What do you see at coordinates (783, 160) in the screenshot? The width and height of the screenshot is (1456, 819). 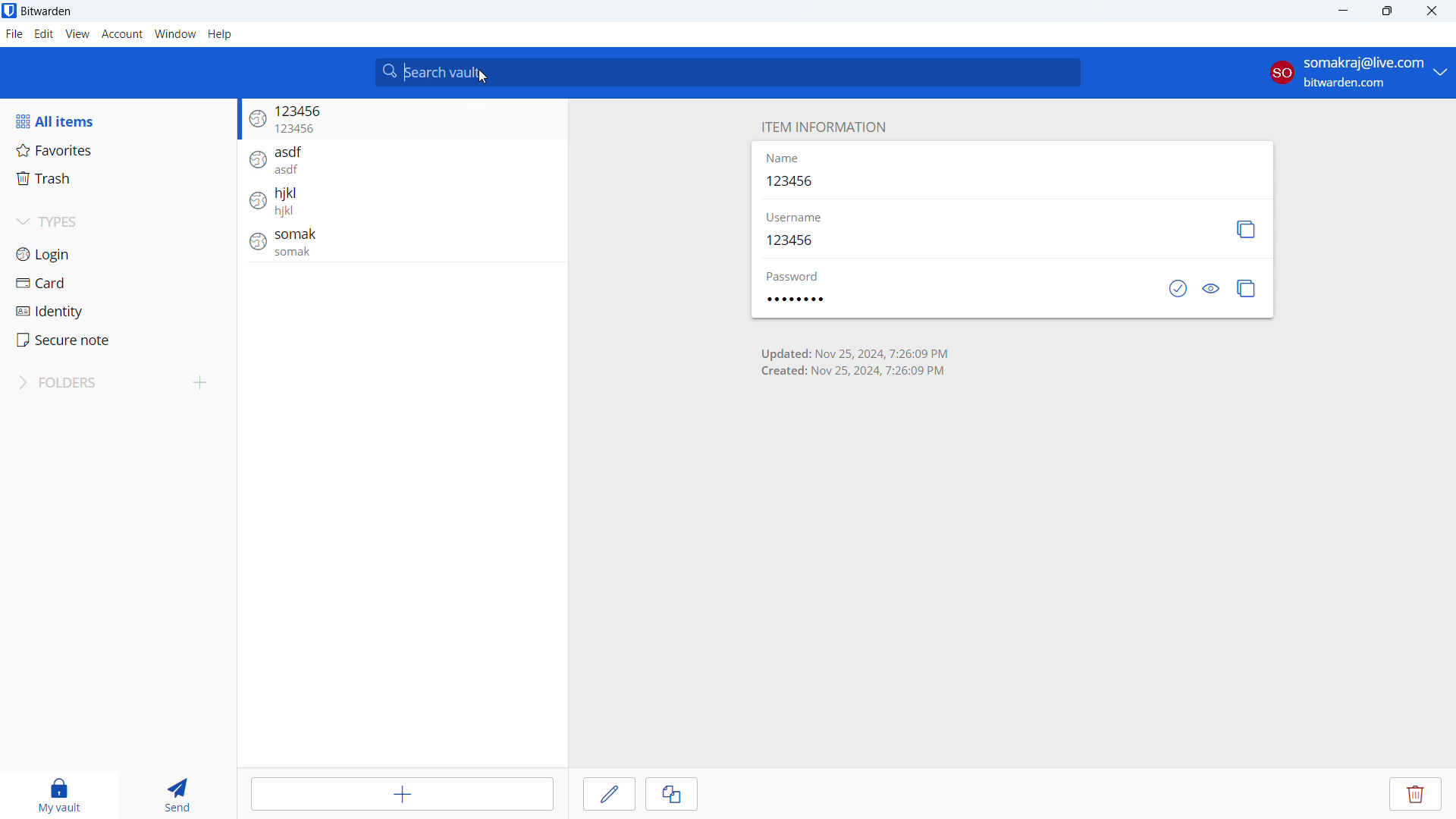 I see `name` at bounding box center [783, 160].